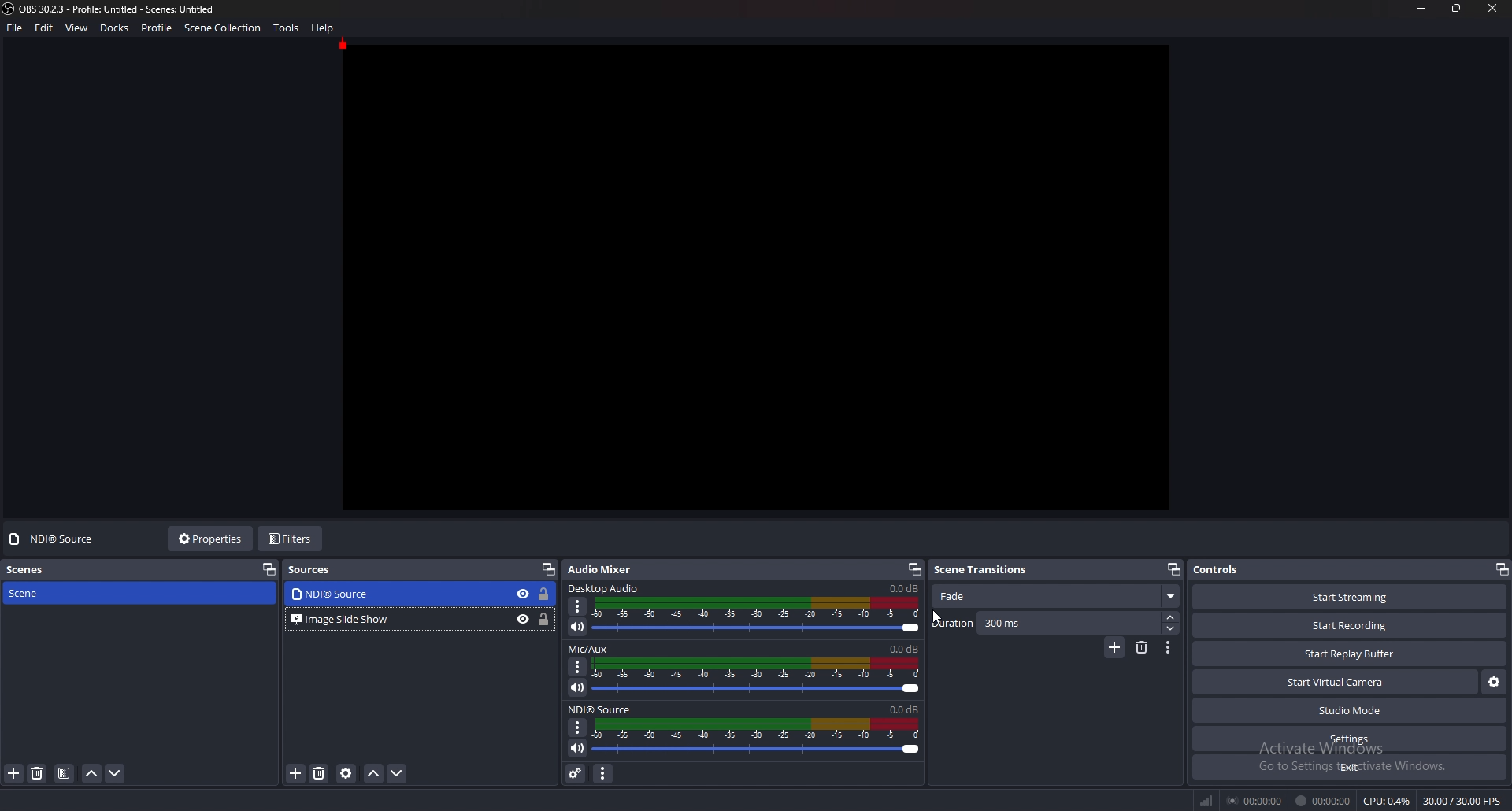 This screenshot has width=1512, height=811. Describe the element at coordinates (1115, 647) in the screenshot. I see `add transition` at that location.